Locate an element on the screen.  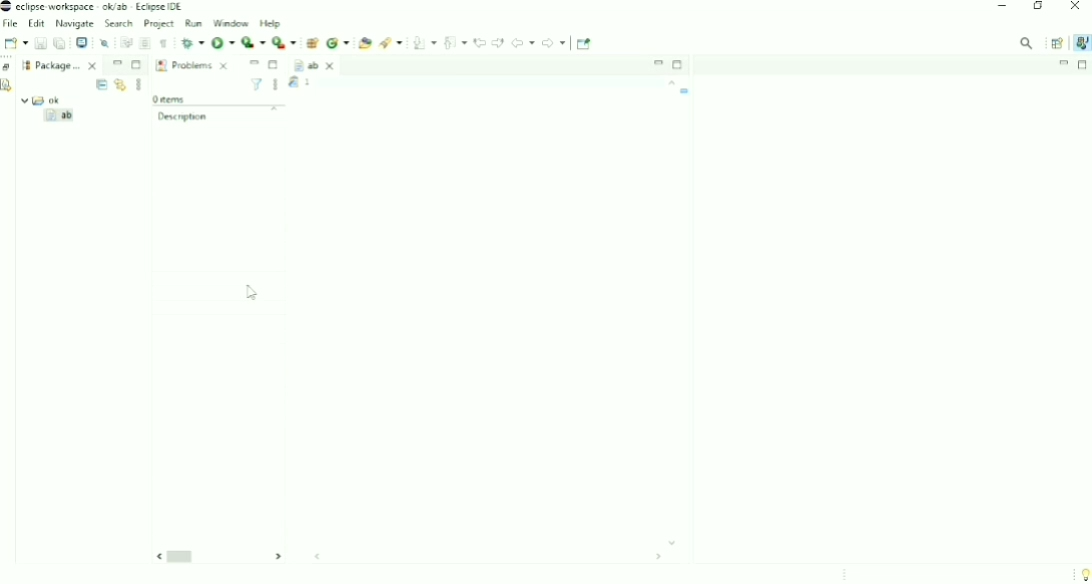
ab is located at coordinates (62, 116).